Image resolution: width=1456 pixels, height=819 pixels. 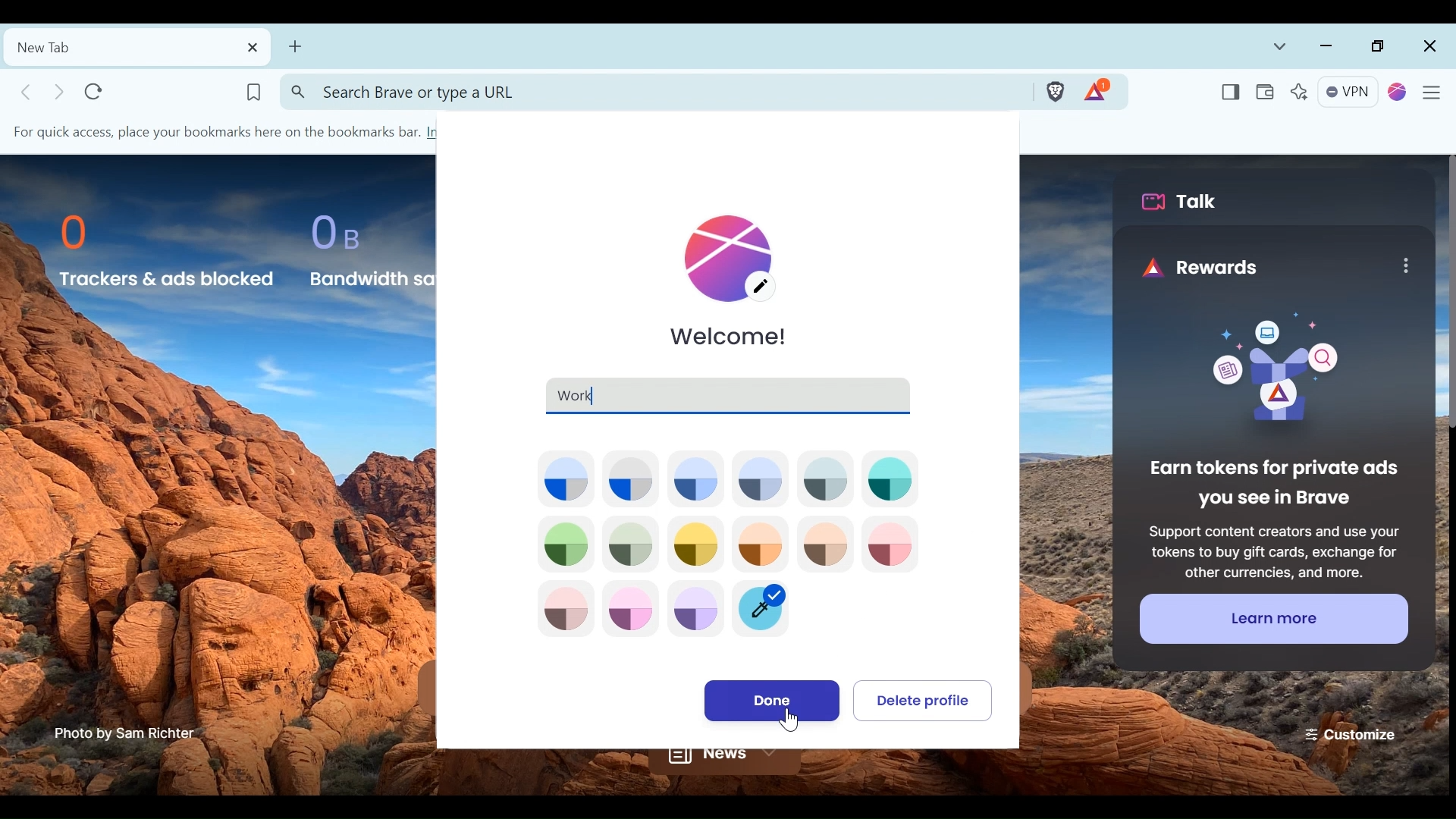 I want to click on Theme, so click(x=698, y=544).